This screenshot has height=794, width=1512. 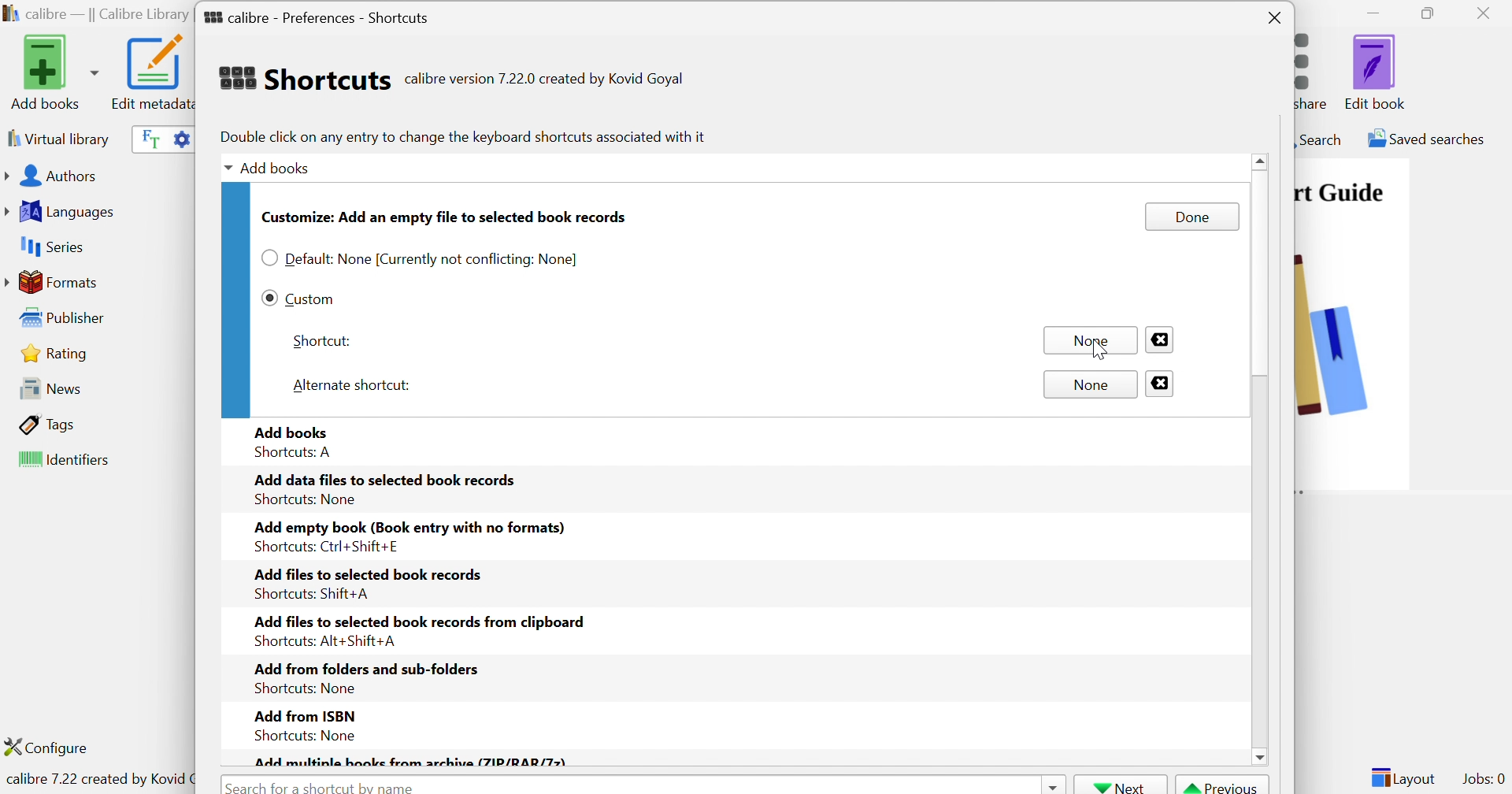 What do you see at coordinates (324, 785) in the screenshot?
I see `Search for a shortcut by name` at bounding box center [324, 785].